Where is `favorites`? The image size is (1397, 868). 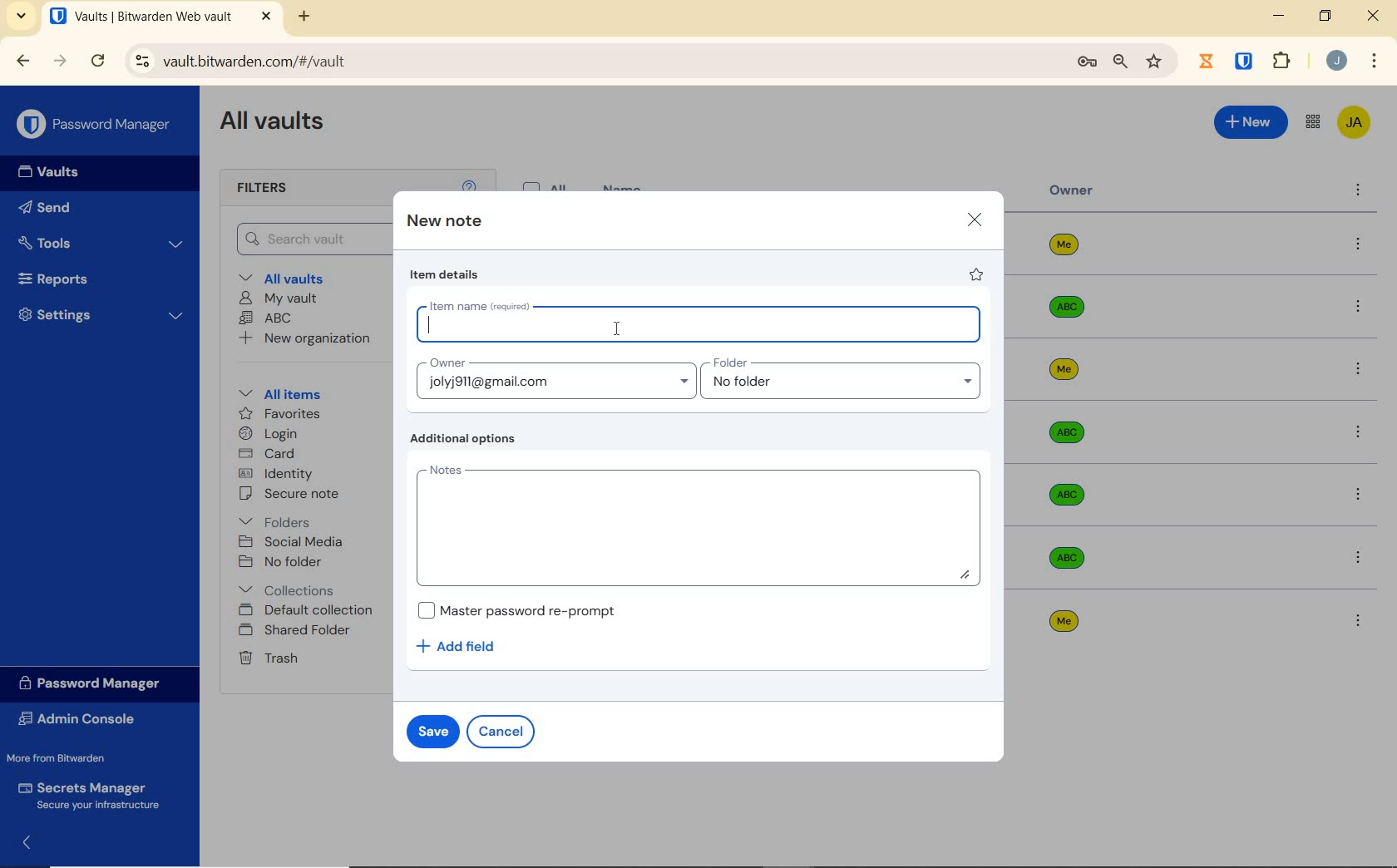 favorites is located at coordinates (277, 413).